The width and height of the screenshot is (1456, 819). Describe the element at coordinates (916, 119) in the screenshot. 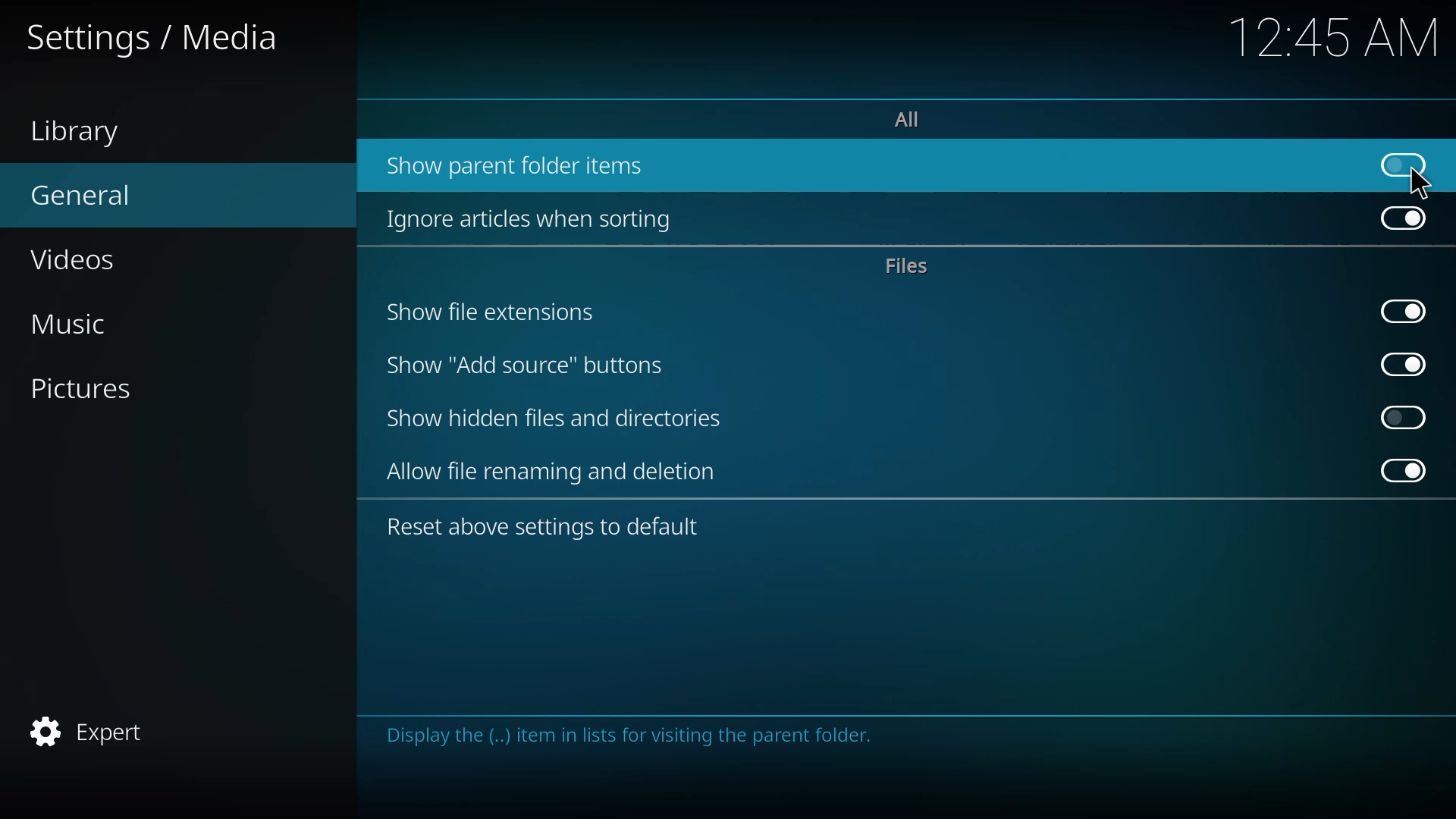

I see `all` at that location.